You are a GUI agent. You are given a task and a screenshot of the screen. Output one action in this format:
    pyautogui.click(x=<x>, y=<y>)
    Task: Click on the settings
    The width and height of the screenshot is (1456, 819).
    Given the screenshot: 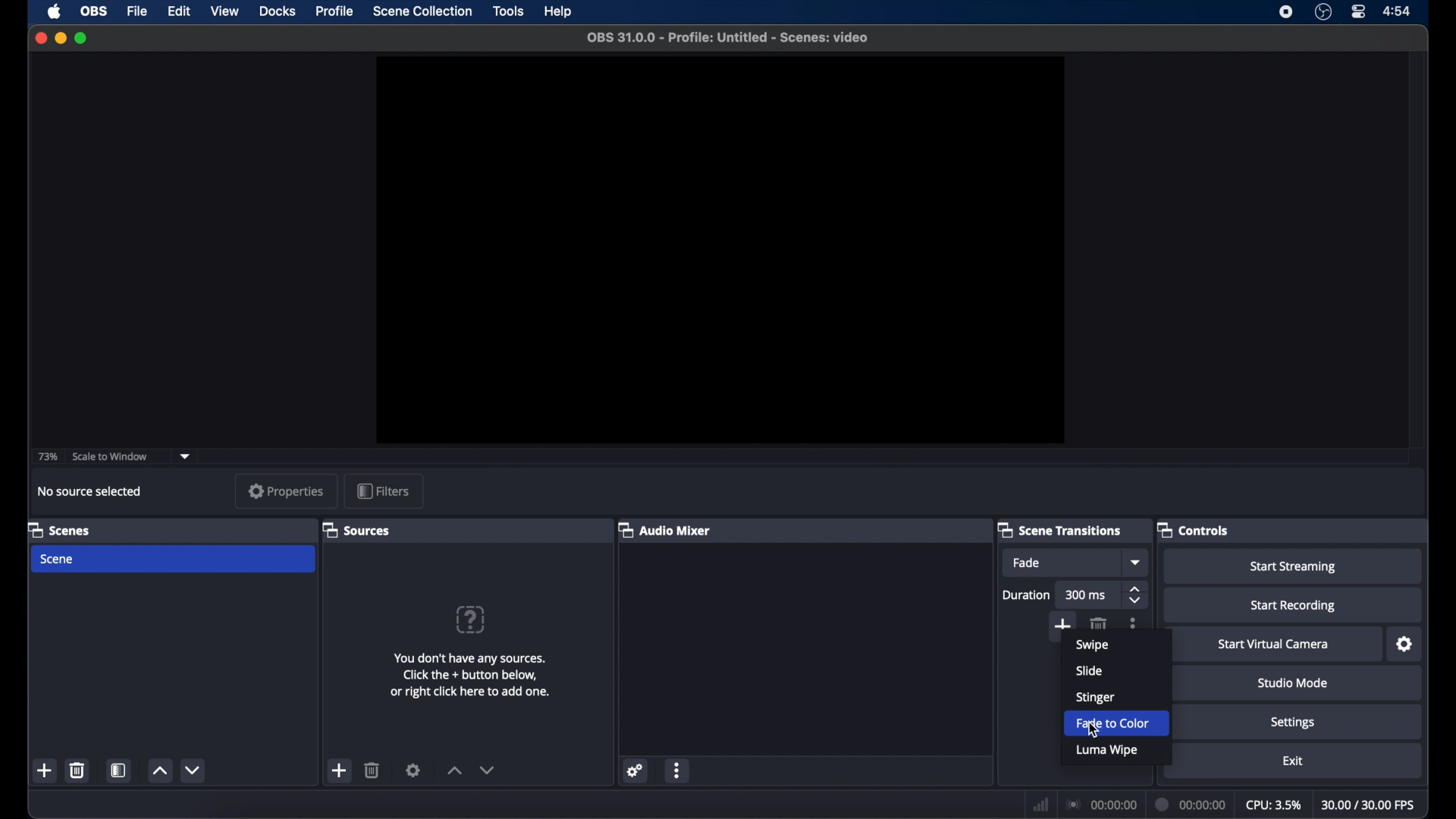 What is the action you would take?
    pyautogui.click(x=634, y=770)
    